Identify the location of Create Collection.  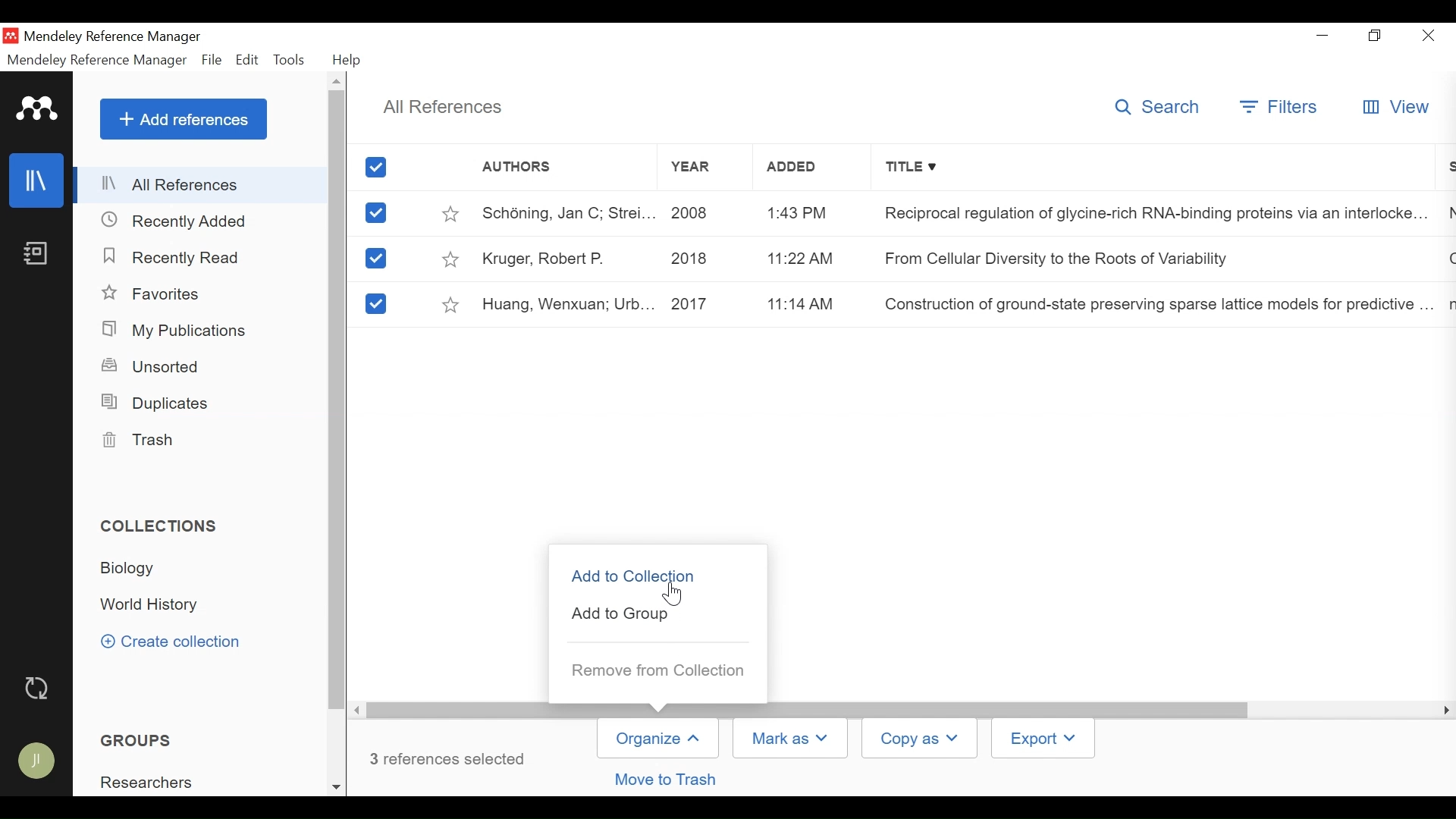
(180, 643).